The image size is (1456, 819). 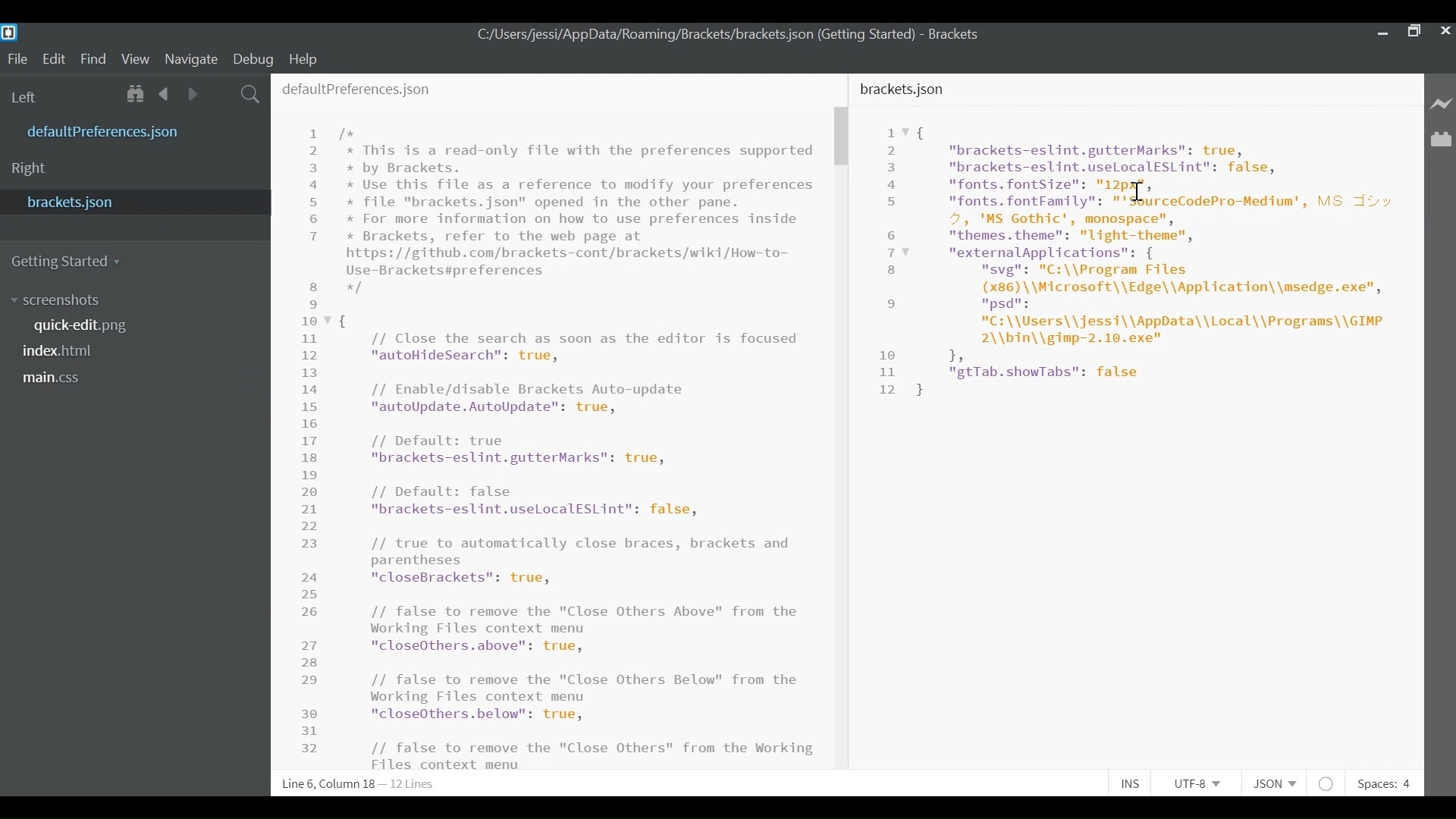 I want to click on Getting Started, so click(x=69, y=259).